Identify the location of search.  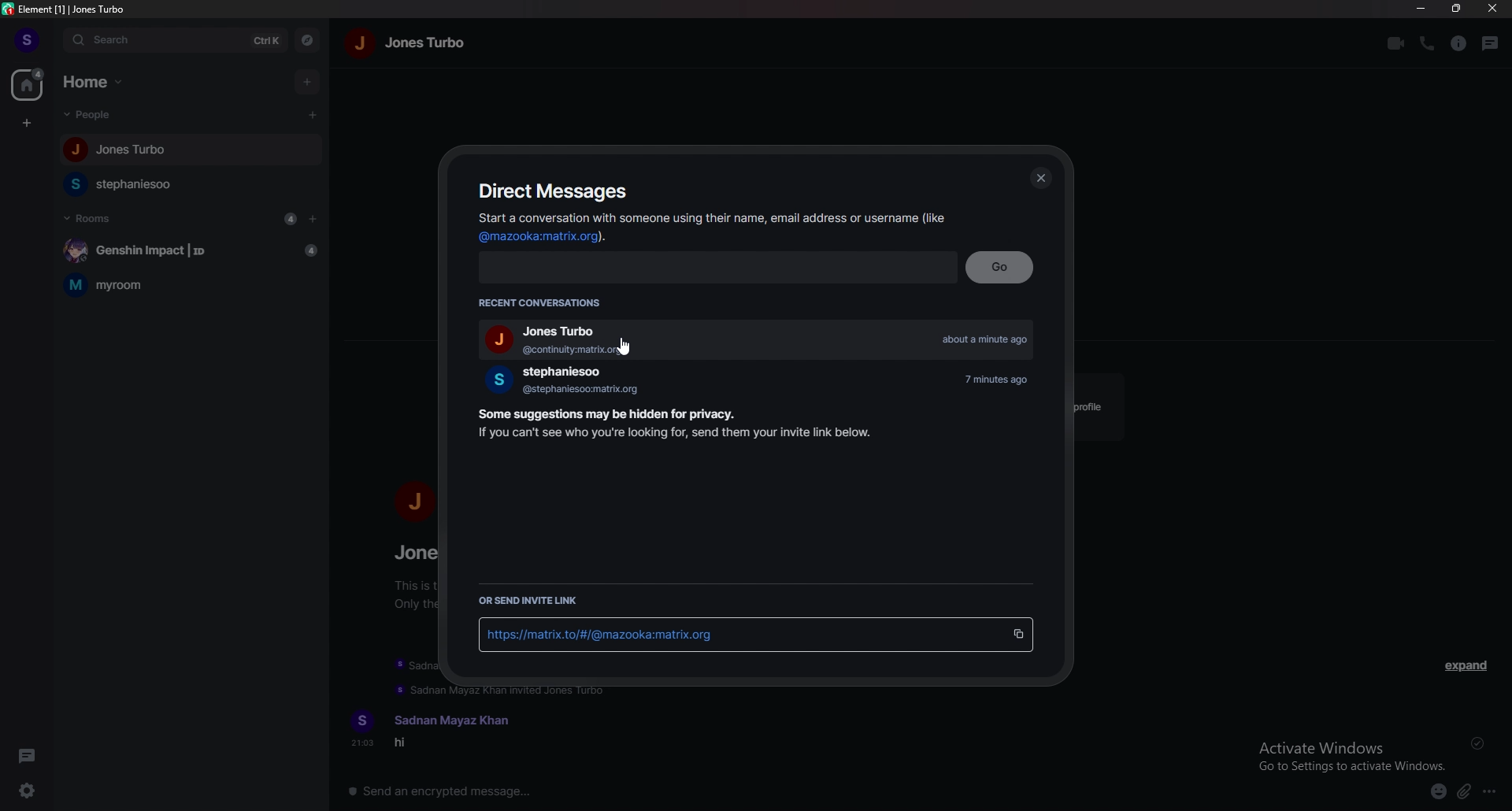
(721, 267).